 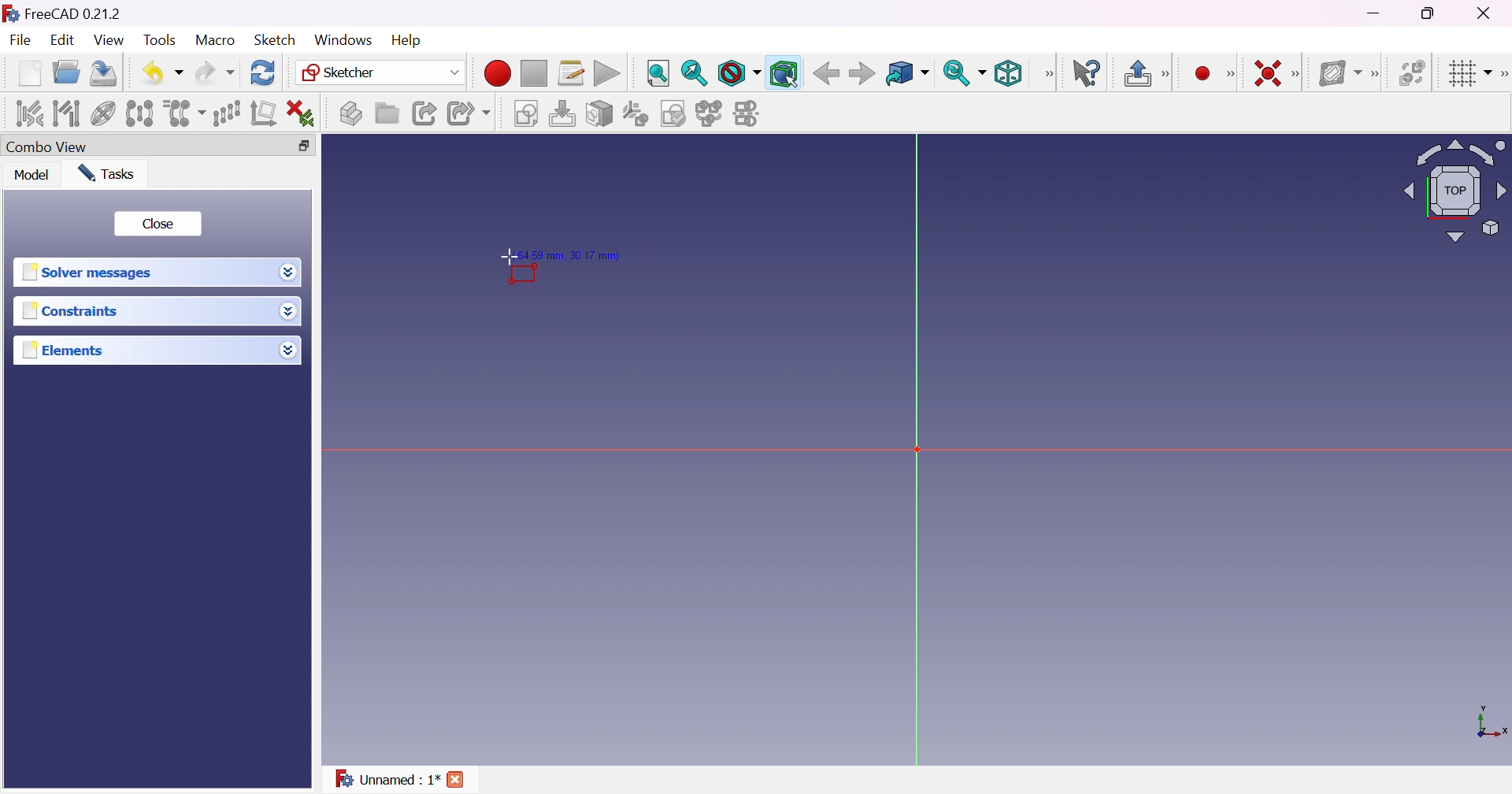 I want to click on Macro recording..., so click(x=498, y=72).